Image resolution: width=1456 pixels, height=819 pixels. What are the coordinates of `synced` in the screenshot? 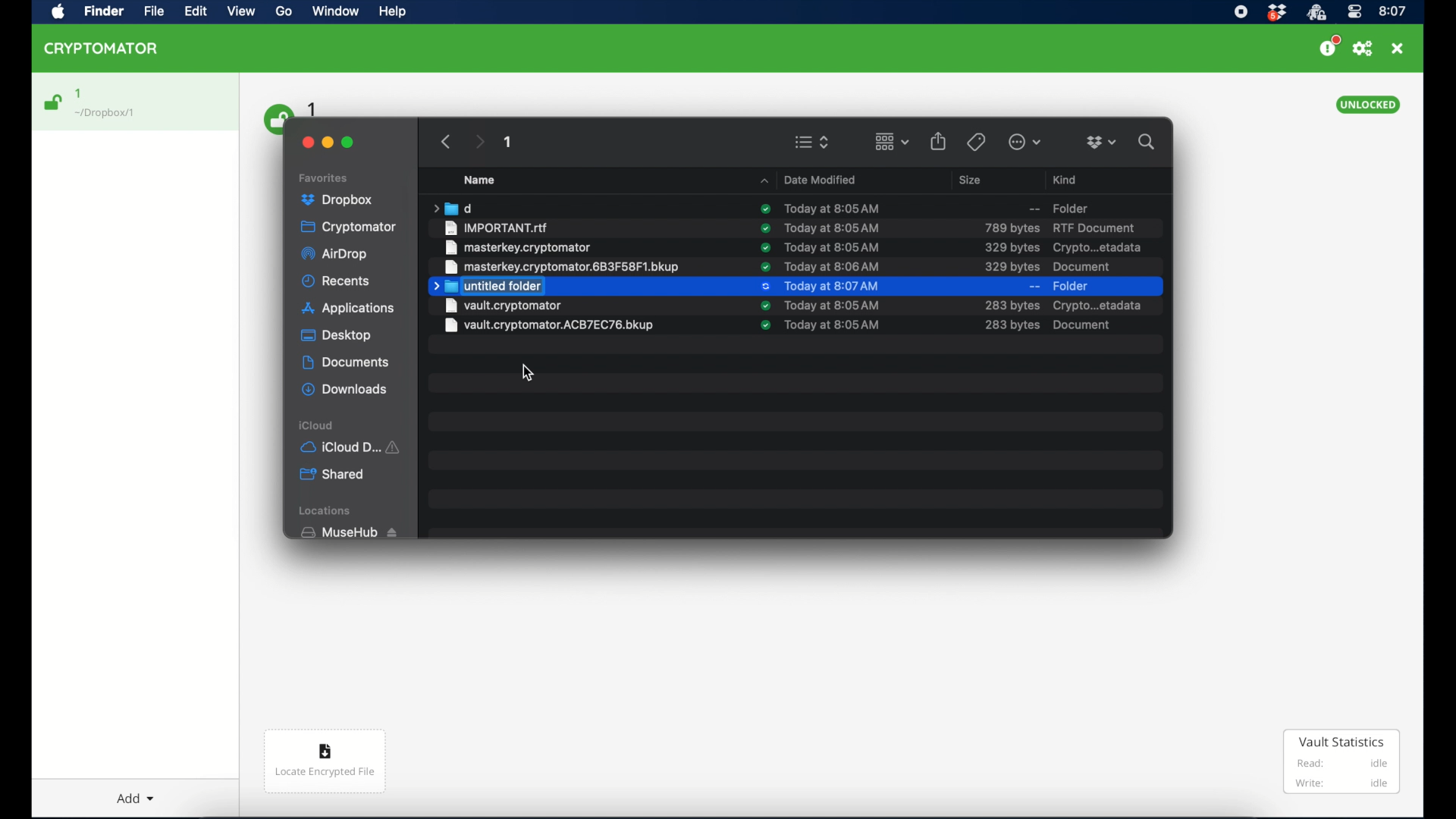 It's located at (764, 306).